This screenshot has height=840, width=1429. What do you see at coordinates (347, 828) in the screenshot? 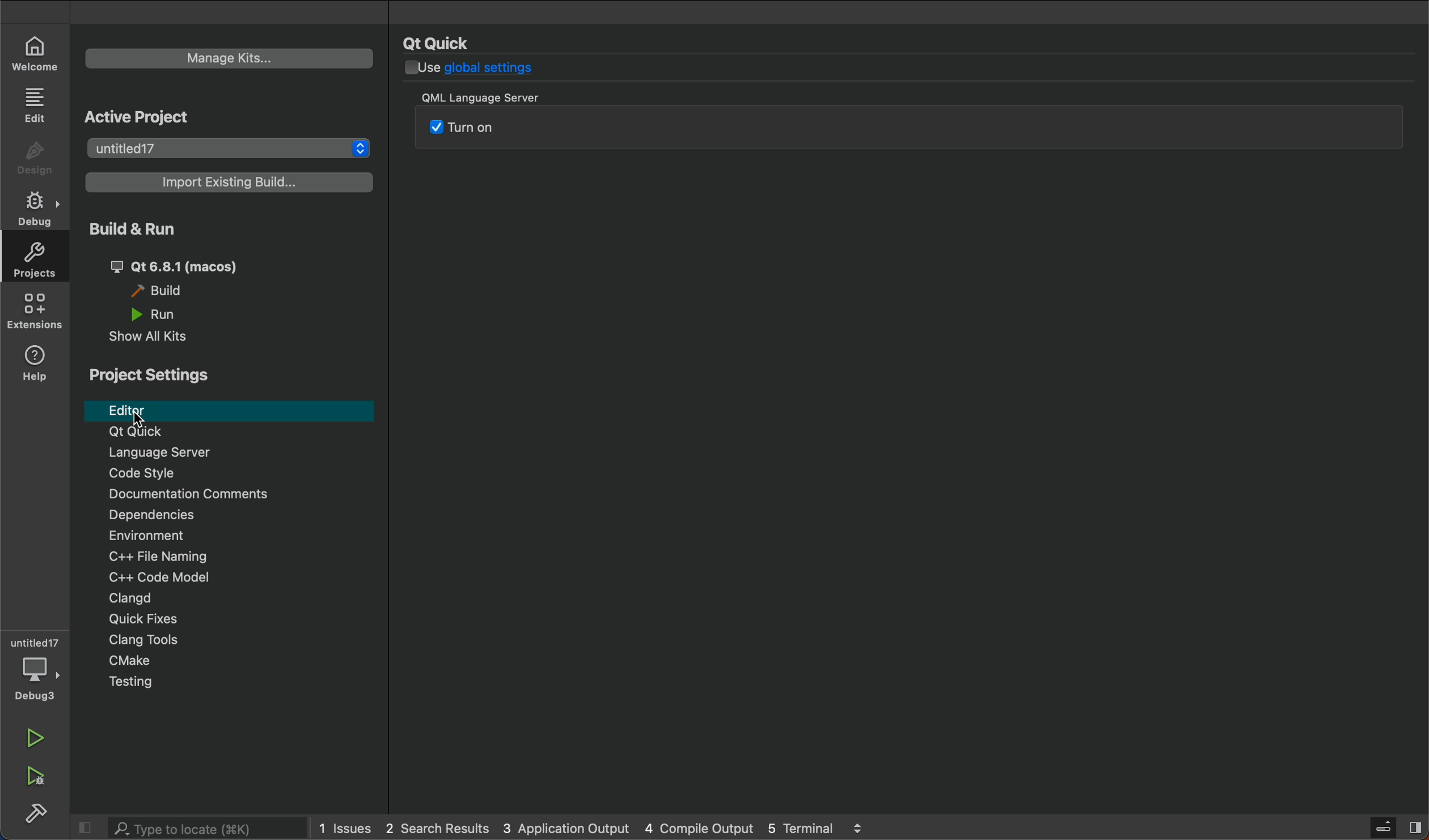
I see `issues` at bounding box center [347, 828].